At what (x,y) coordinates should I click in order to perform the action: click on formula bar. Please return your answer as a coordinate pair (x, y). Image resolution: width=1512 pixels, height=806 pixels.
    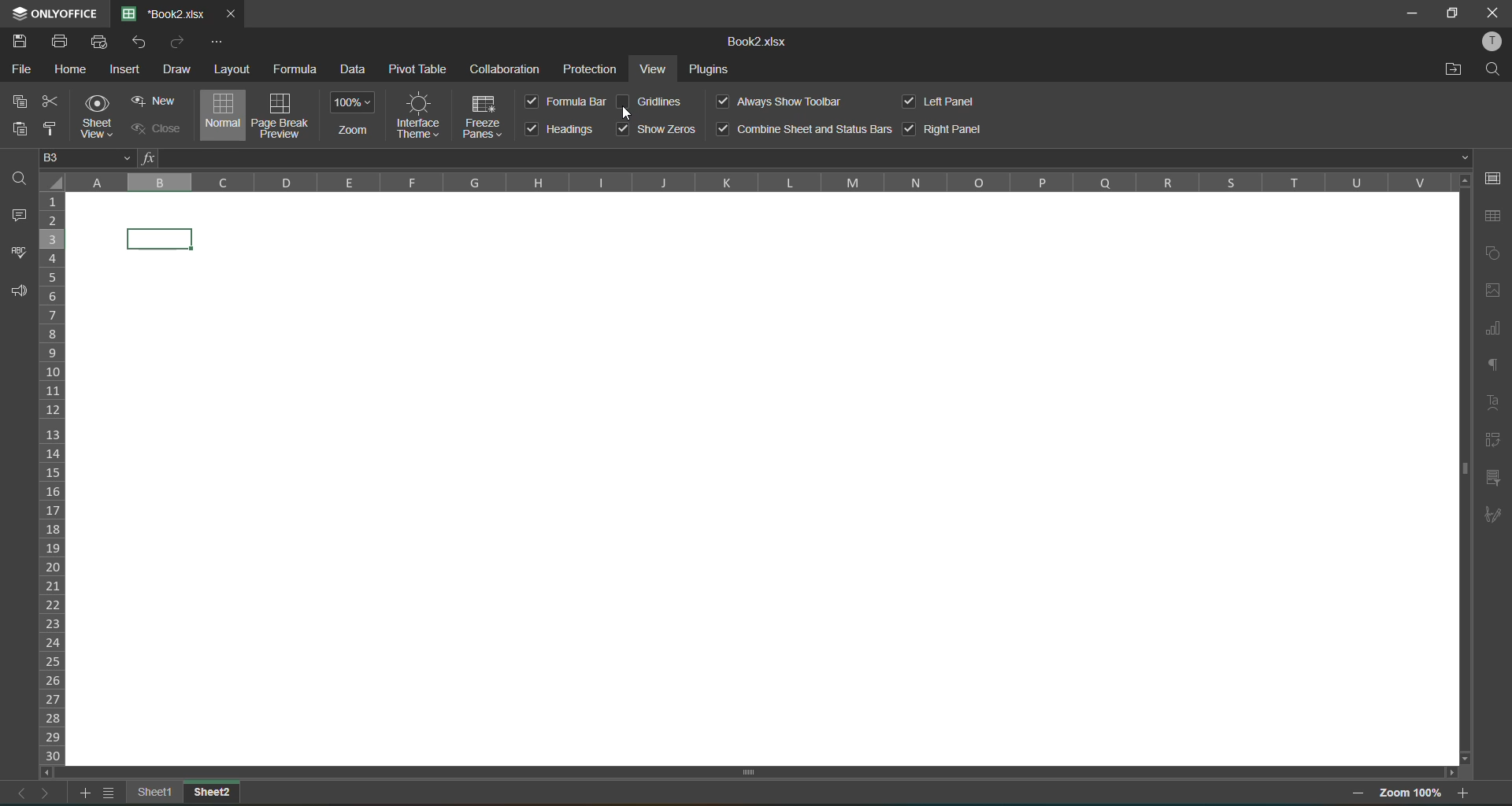
    Looking at the image, I should click on (802, 158).